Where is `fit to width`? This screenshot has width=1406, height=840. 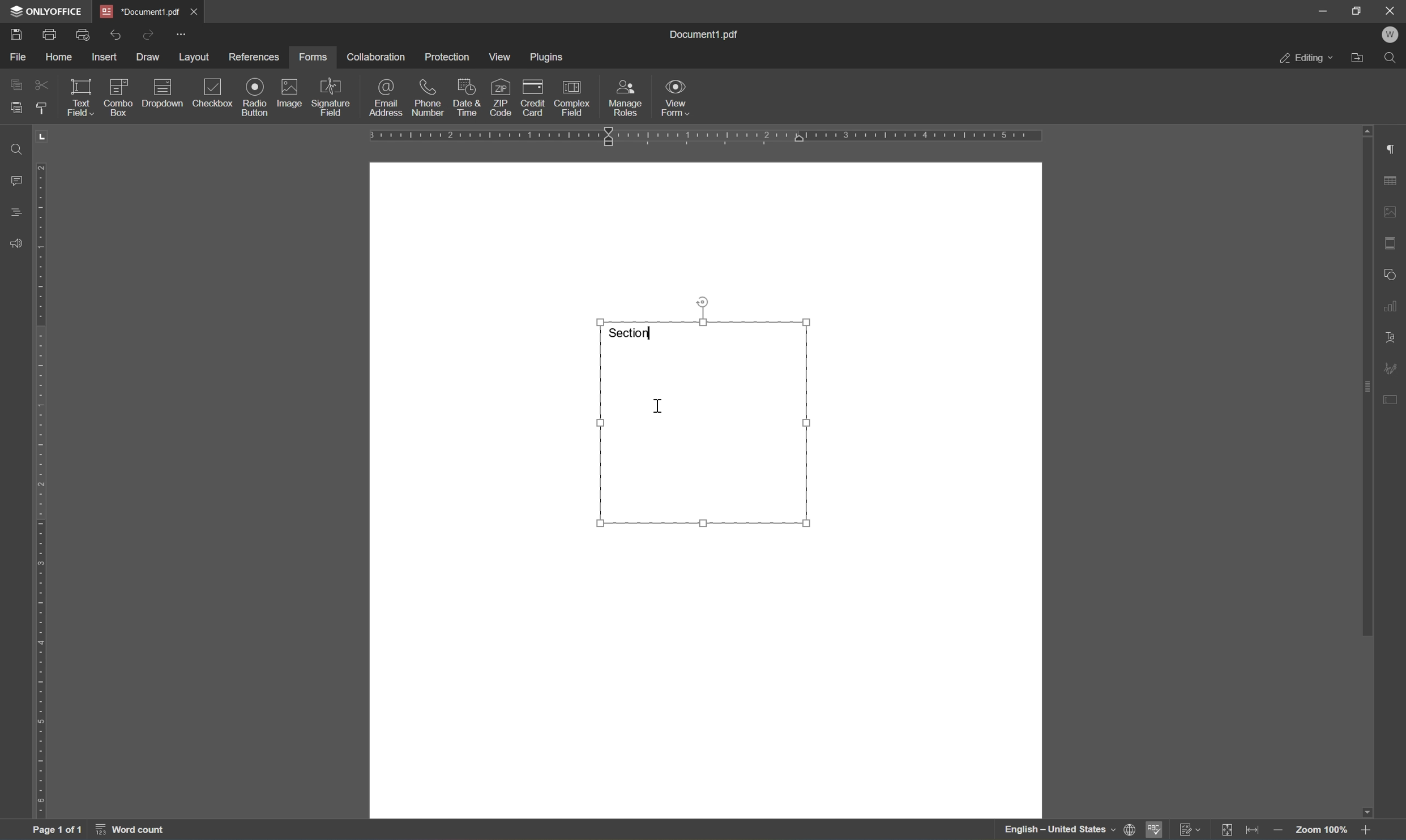
fit to width is located at coordinates (1257, 830).